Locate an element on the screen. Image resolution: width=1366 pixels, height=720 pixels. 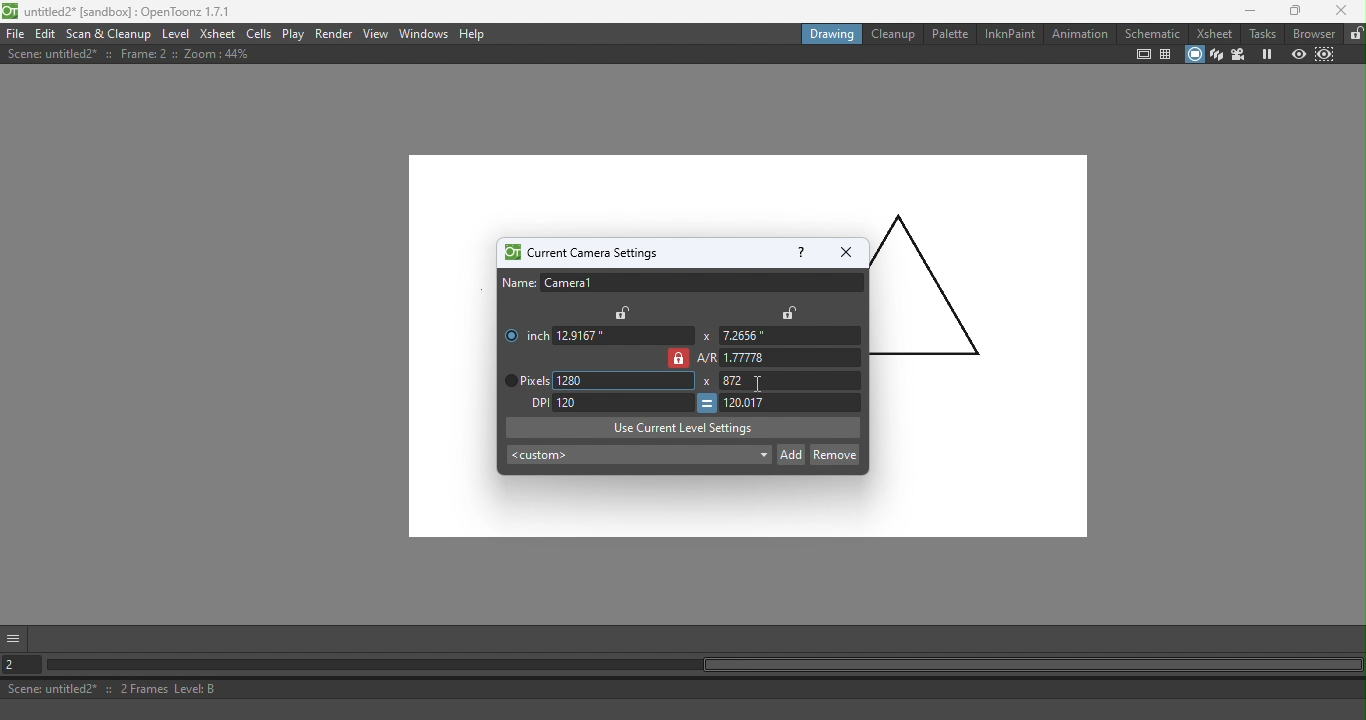
insertion cursor is located at coordinates (760, 384).